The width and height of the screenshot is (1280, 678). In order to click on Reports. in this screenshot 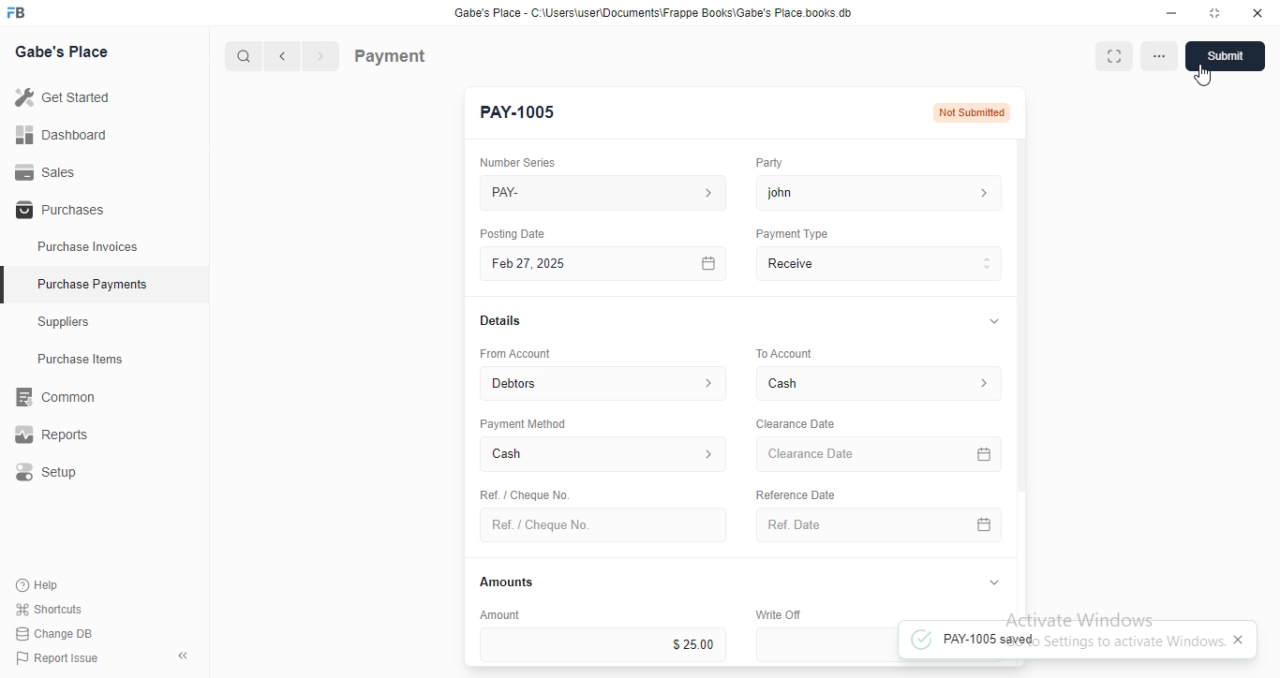, I will do `click(59, 435)`.